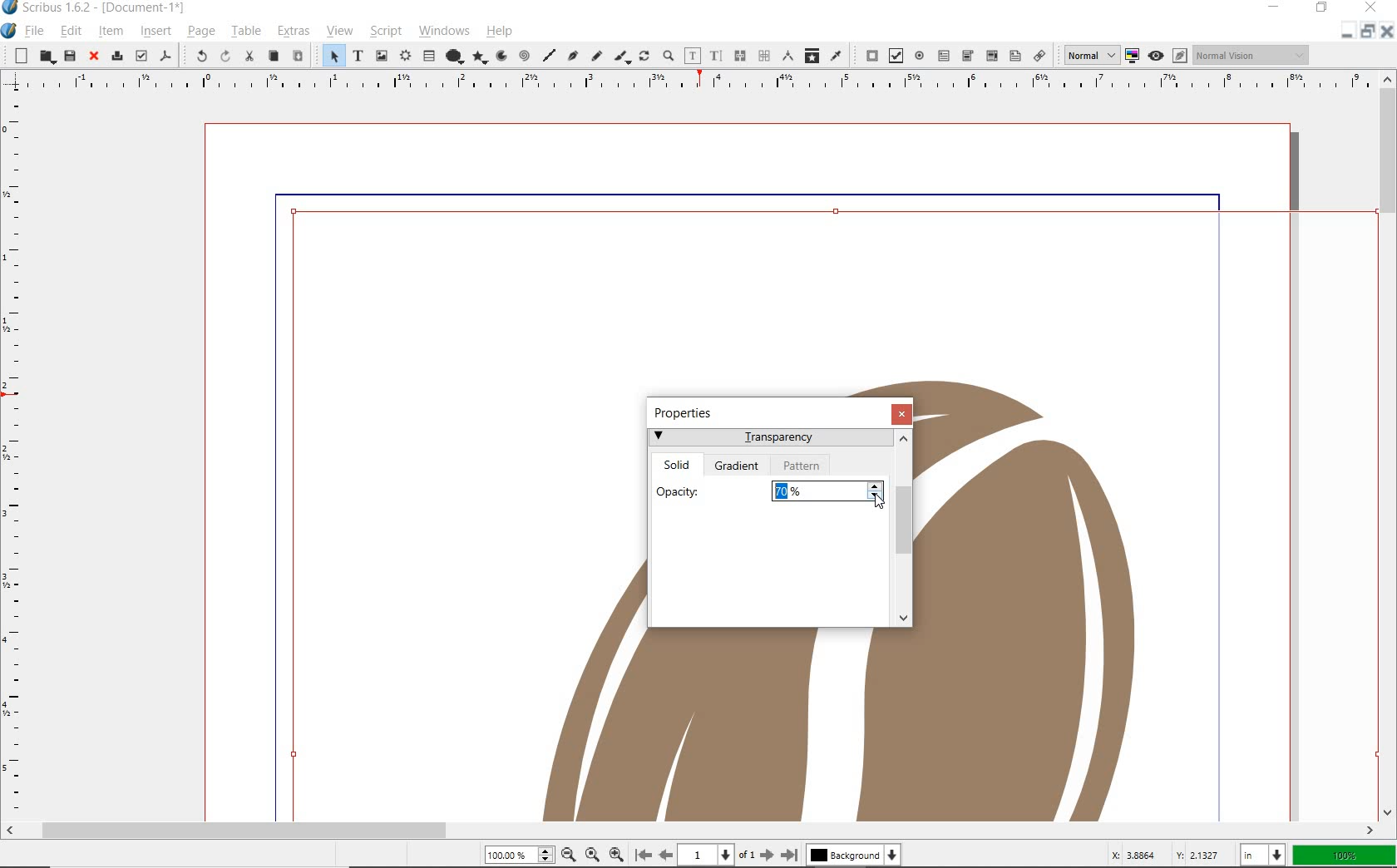 The height and width of the screenshot is (868, 1397). What do you see at coordinates (1345, 857) in the screenshot?
I see `zoom factor` at bounding box center [1345, 857].